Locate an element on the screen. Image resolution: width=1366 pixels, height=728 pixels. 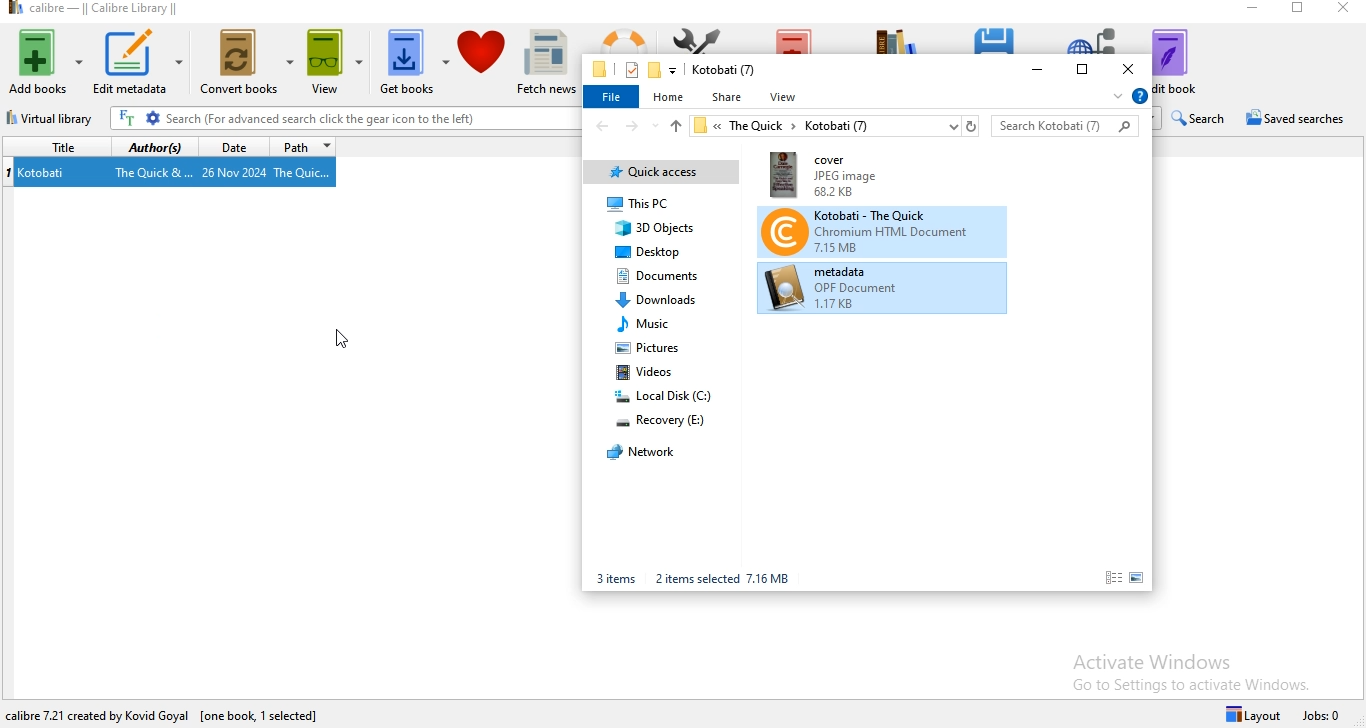
videos is located at coordinates (651, 370).